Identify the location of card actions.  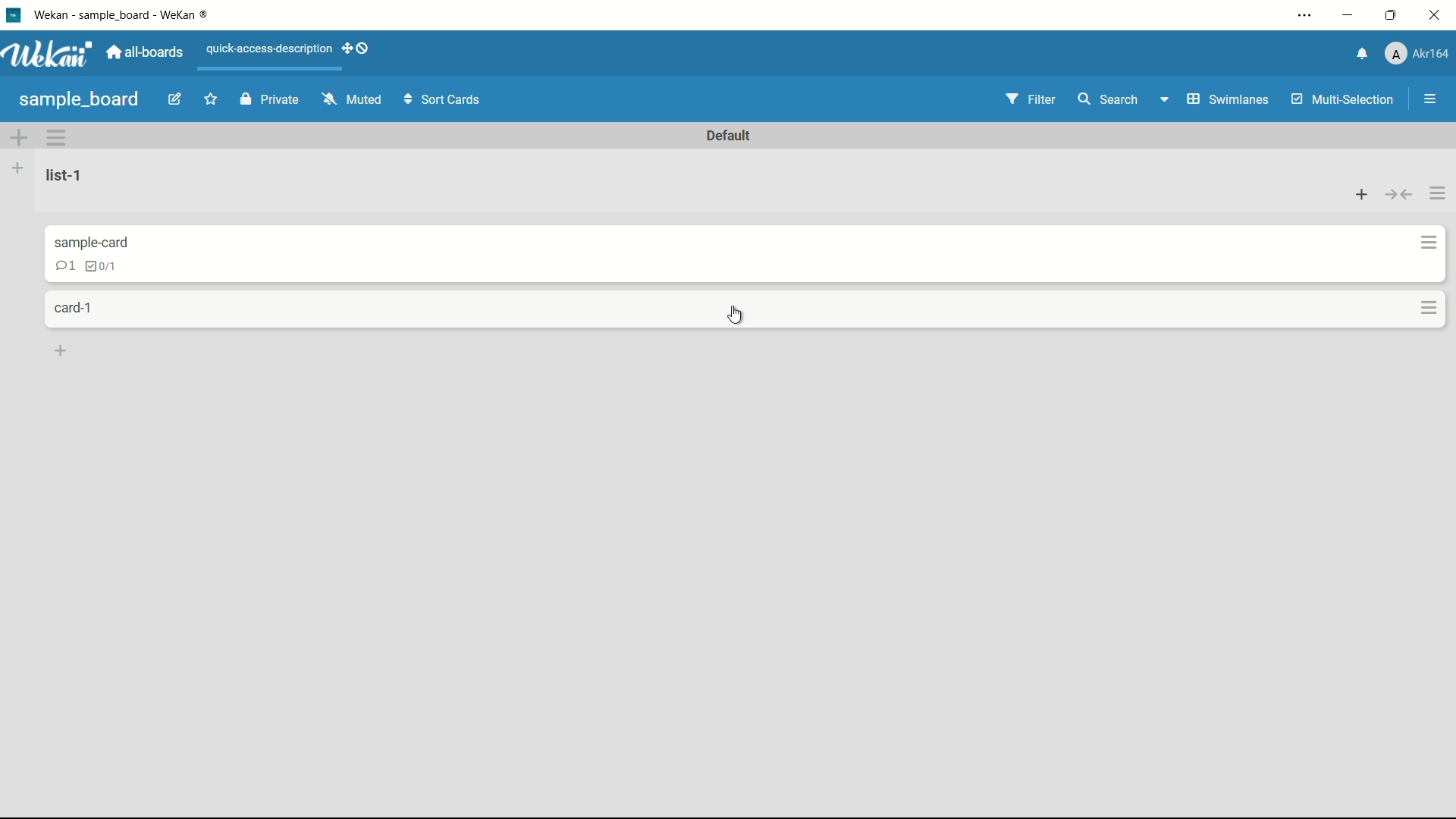
(1423, 306).